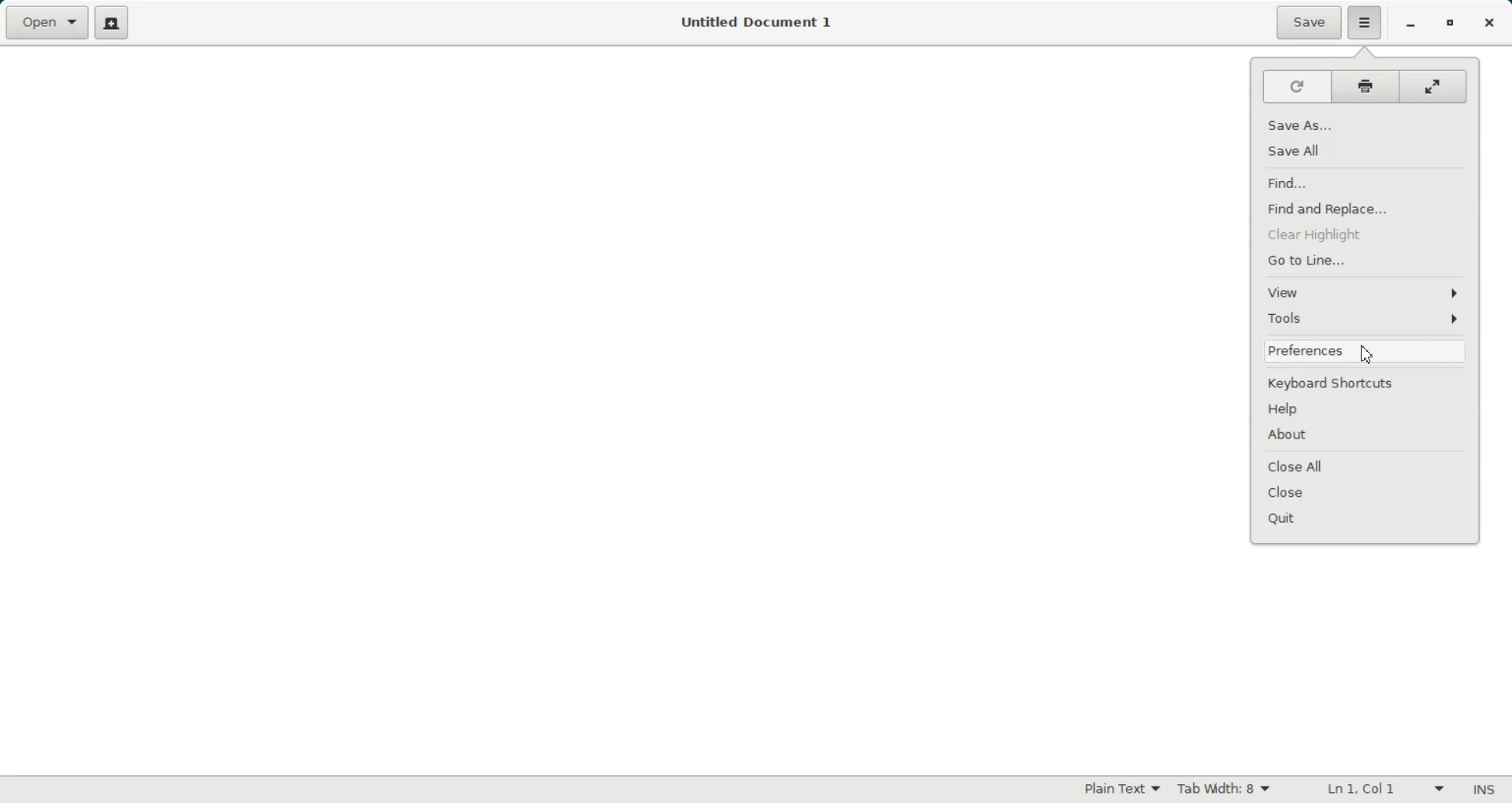  I want to click on Plain Text, so click(1122, 789).